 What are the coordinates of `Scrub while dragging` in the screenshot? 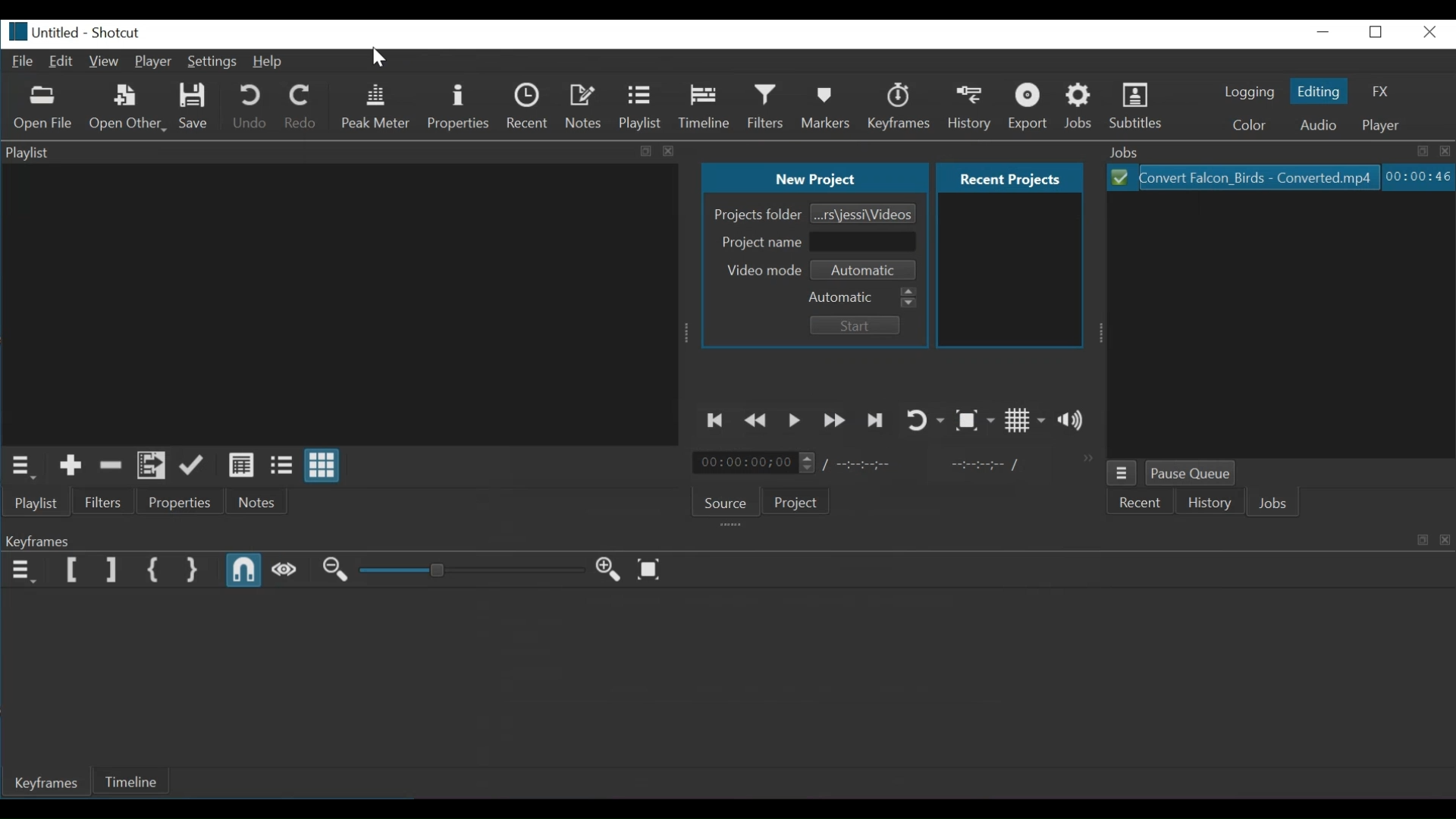 It's located at (285, 573).